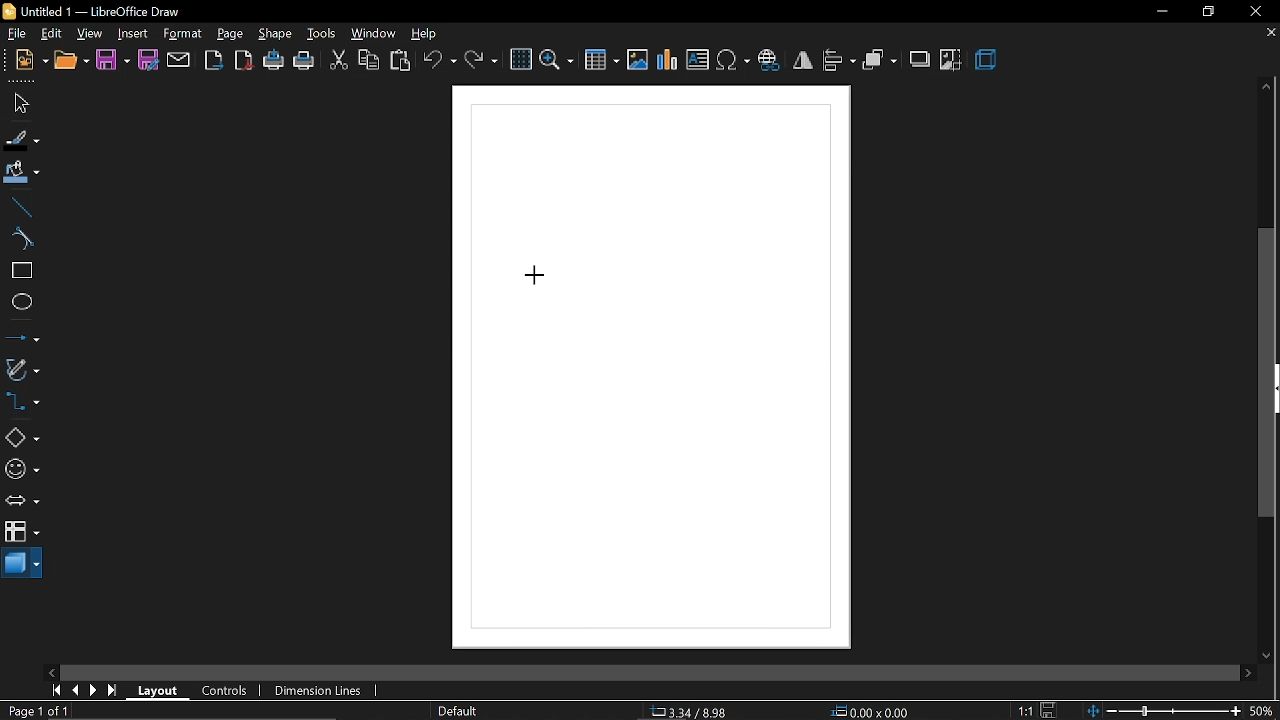 This screenshot has width=1280, height=720. What do you see at coordinates (1270, 35) in the screenshot?
I see `close tab` at bounding box center [1270, 35].